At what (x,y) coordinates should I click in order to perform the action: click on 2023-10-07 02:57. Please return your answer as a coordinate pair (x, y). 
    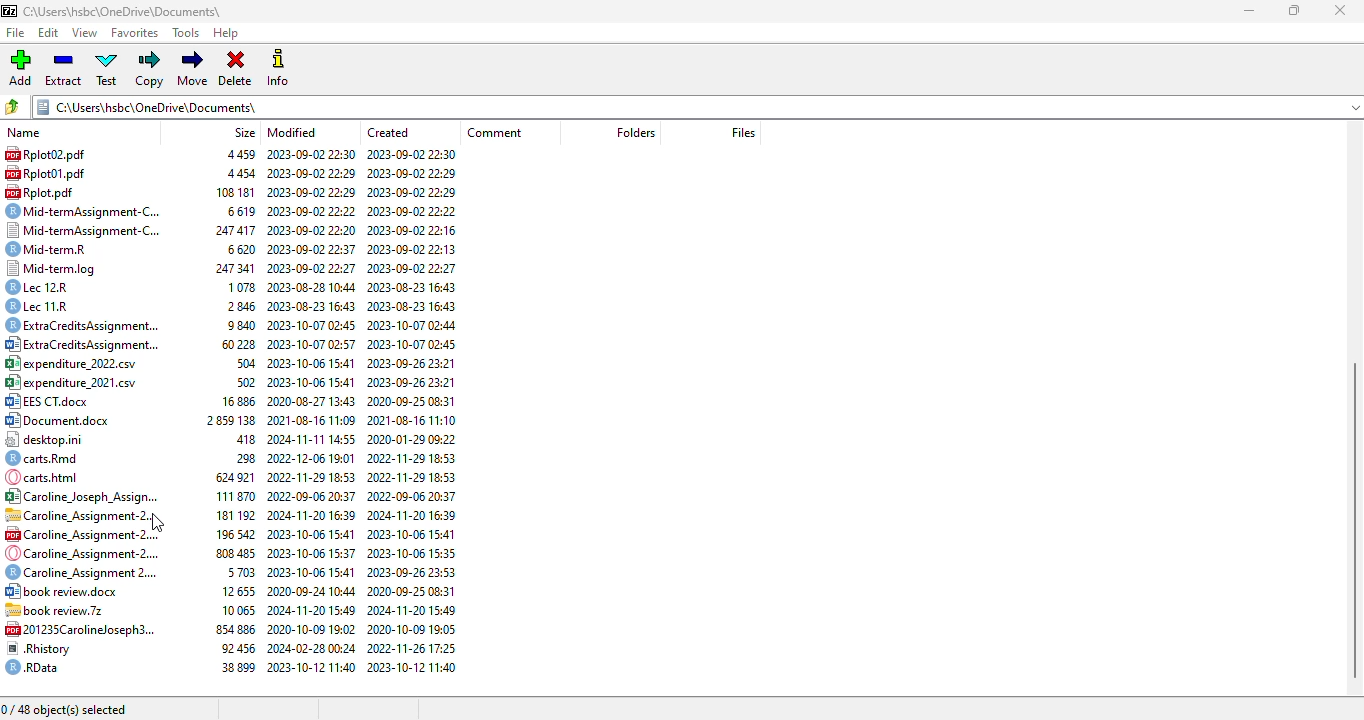
    Looking at the image, I should click on (309, 343).